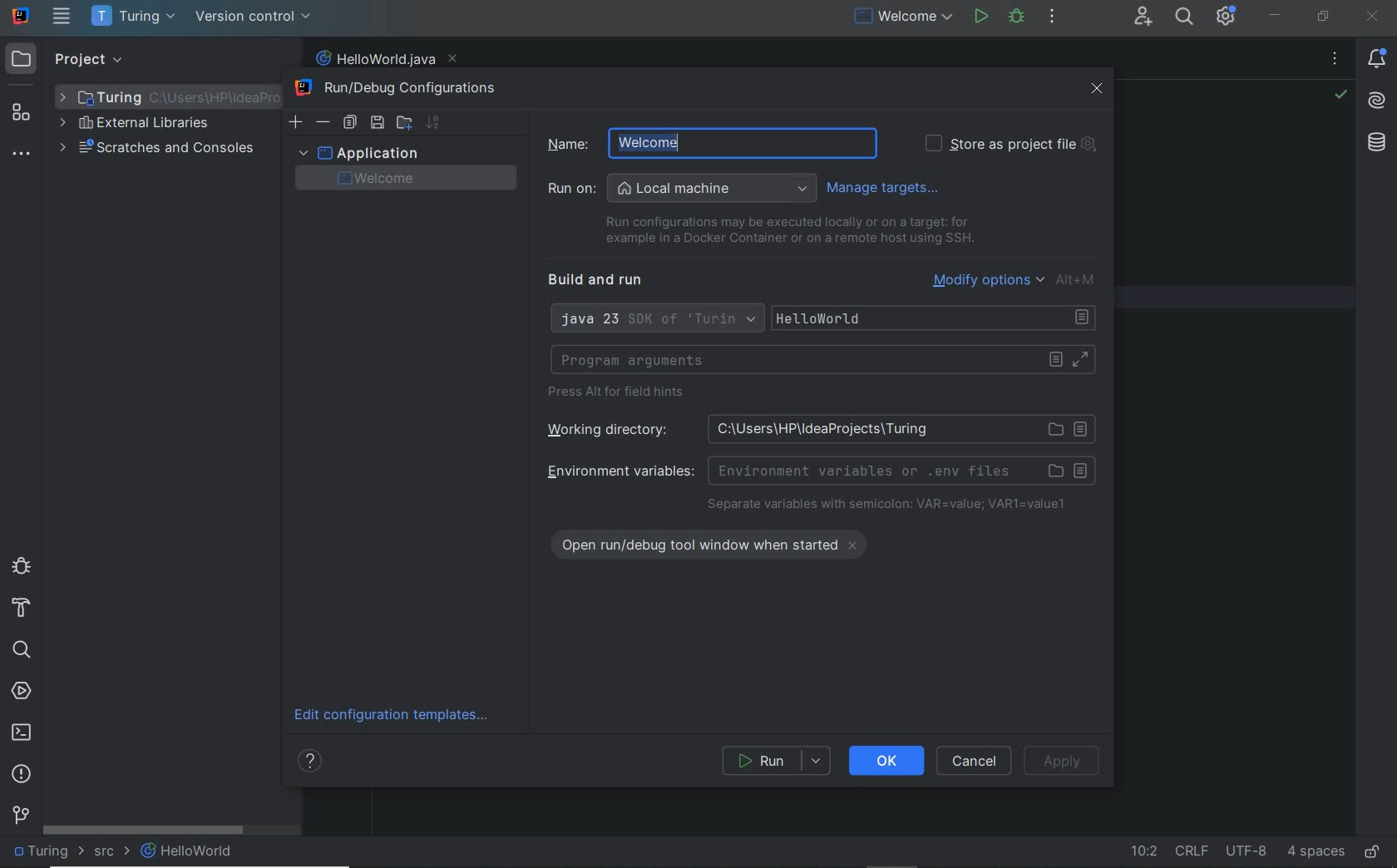  What do you see at coordinates (1275, 16) in the screenshot?
I see `MINIMIZE` at bounding box center [1275, 16].